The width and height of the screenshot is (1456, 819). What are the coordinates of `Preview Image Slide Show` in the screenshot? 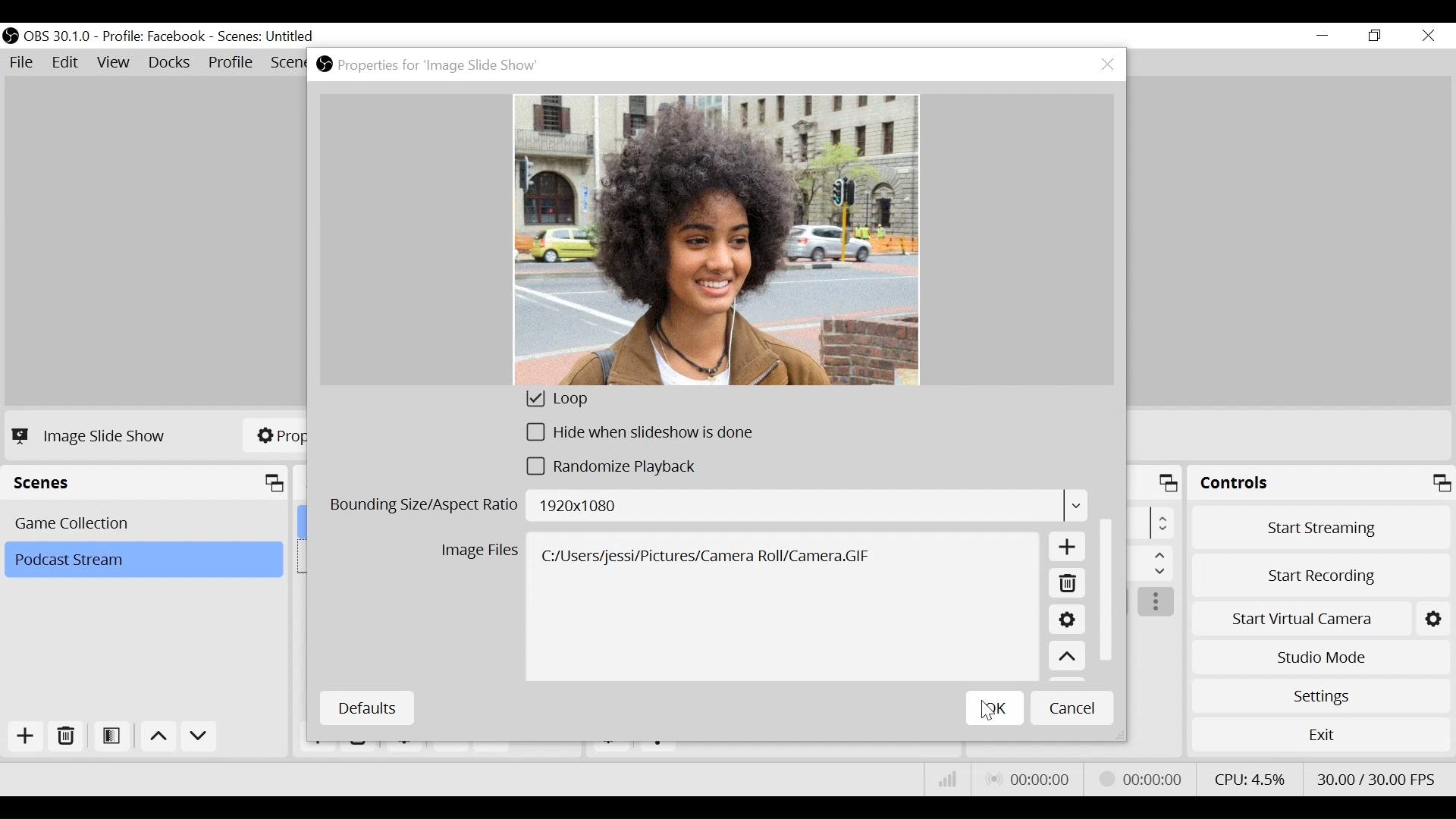 It's located at (716, 240).